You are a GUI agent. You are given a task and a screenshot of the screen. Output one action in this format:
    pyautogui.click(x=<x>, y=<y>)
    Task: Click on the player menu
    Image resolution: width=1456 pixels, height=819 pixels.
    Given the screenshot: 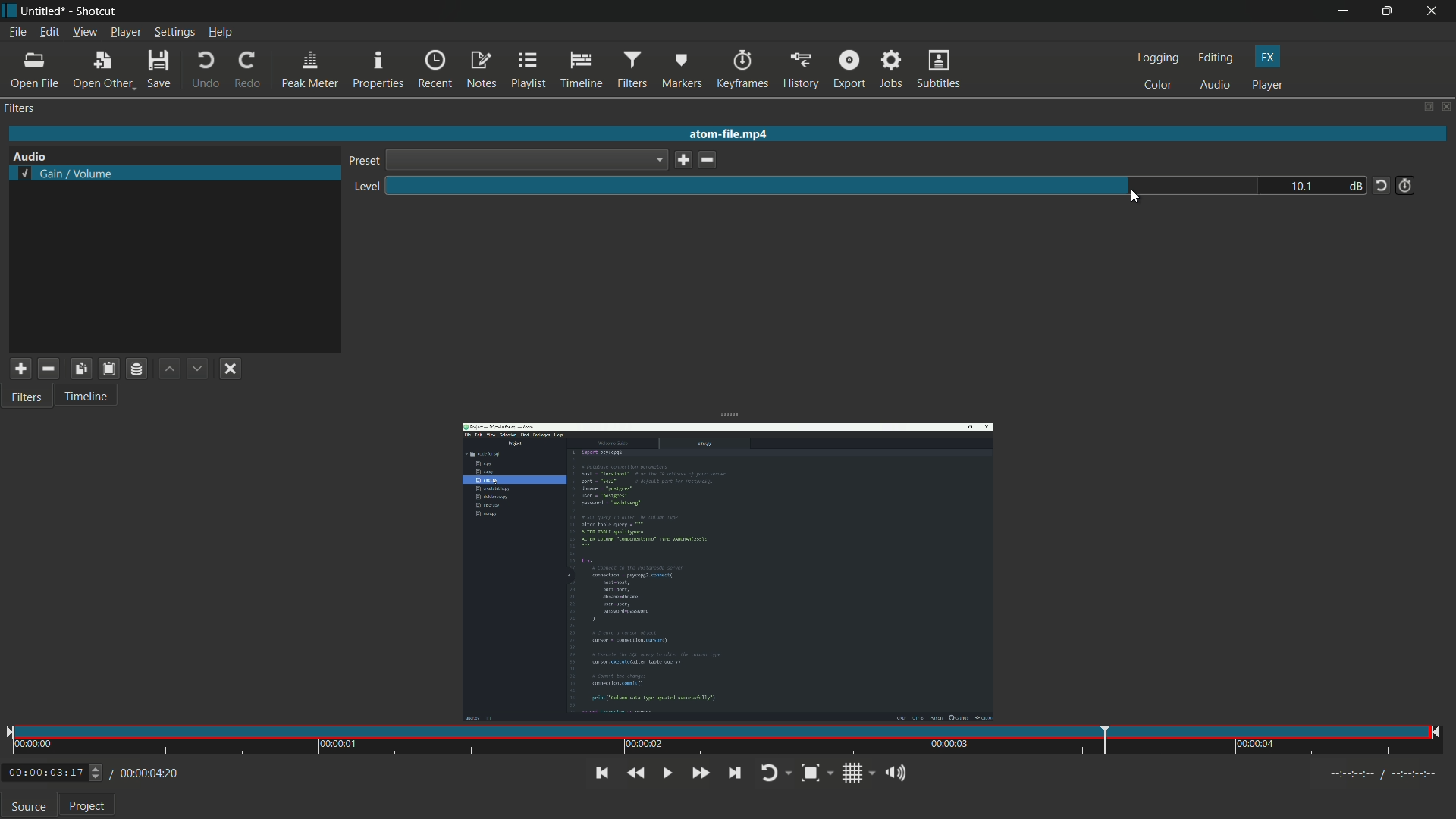 What is the action you would take?
    pyautogui.click(x=126, y=32)
    